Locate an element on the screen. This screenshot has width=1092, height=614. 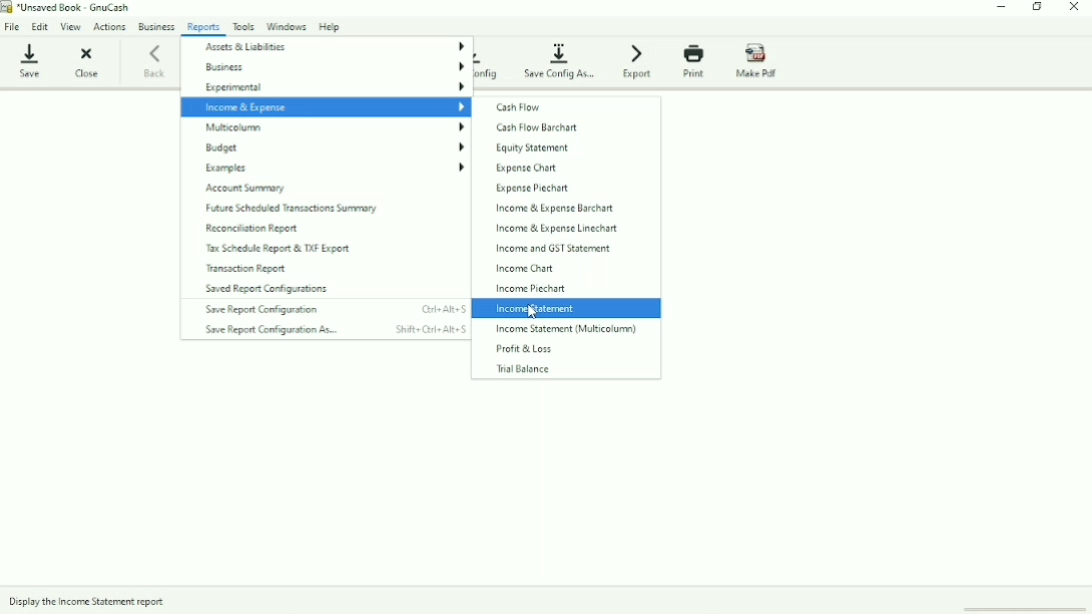
Income Chart is located at coordinates (526, 268).